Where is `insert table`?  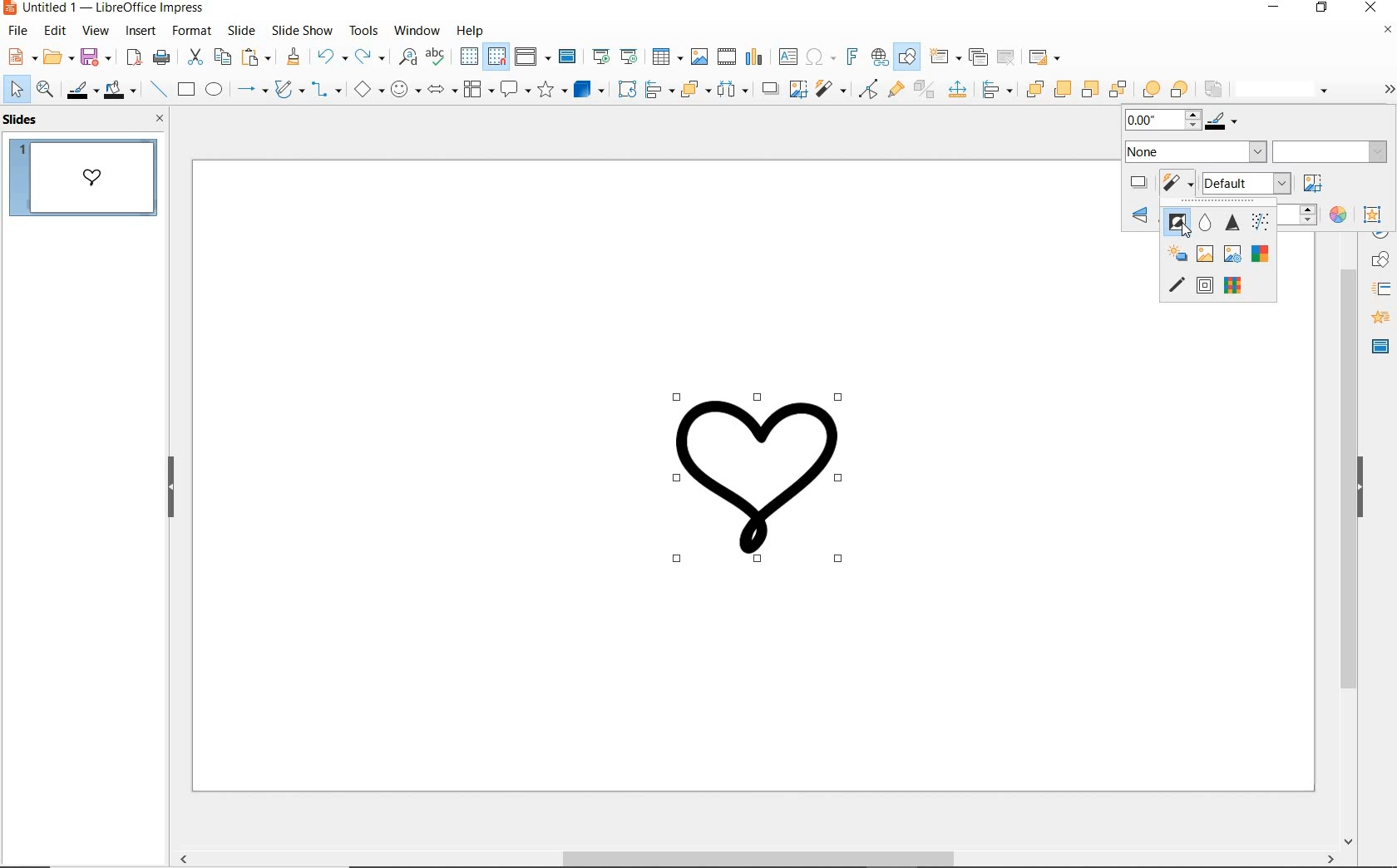 insert table is located at coordinates (667, 57).